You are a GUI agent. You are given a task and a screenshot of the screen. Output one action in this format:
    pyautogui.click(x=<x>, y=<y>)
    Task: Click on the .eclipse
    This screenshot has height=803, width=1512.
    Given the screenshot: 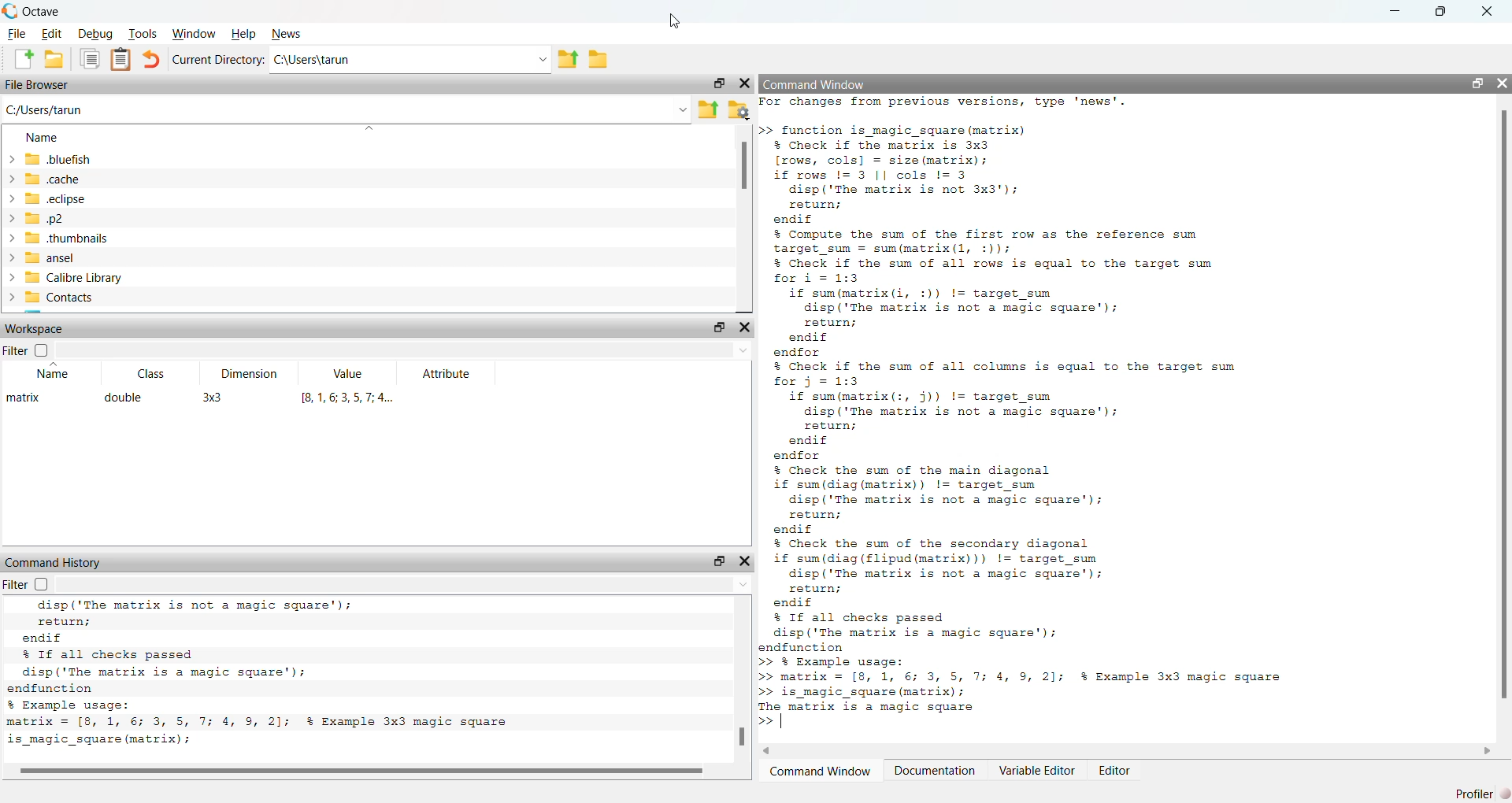 What is the action you would take?
    pyautogui.click(x=46, y=198)
    